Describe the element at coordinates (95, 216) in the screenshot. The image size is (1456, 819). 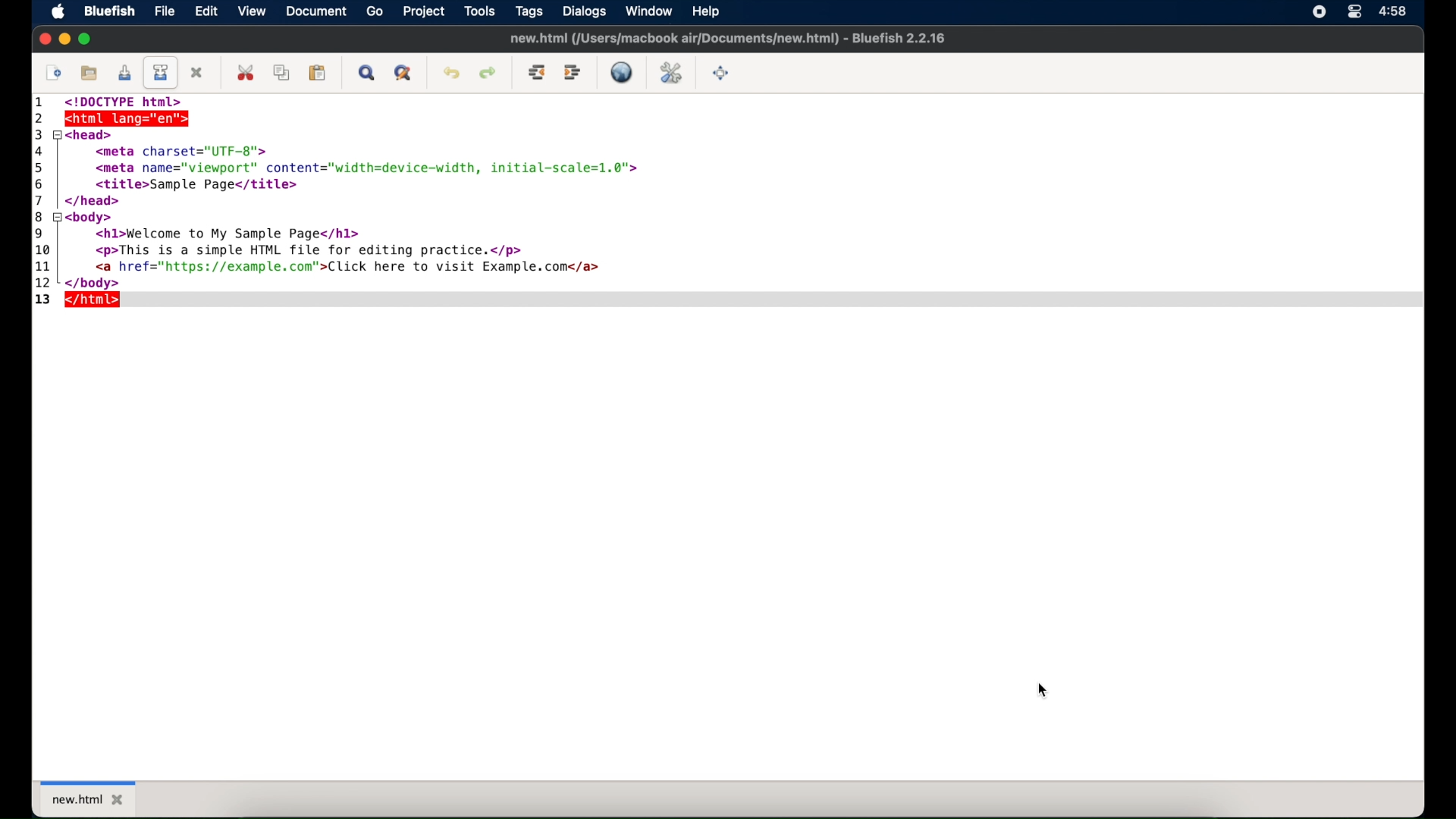
I see `<body>` at that location.